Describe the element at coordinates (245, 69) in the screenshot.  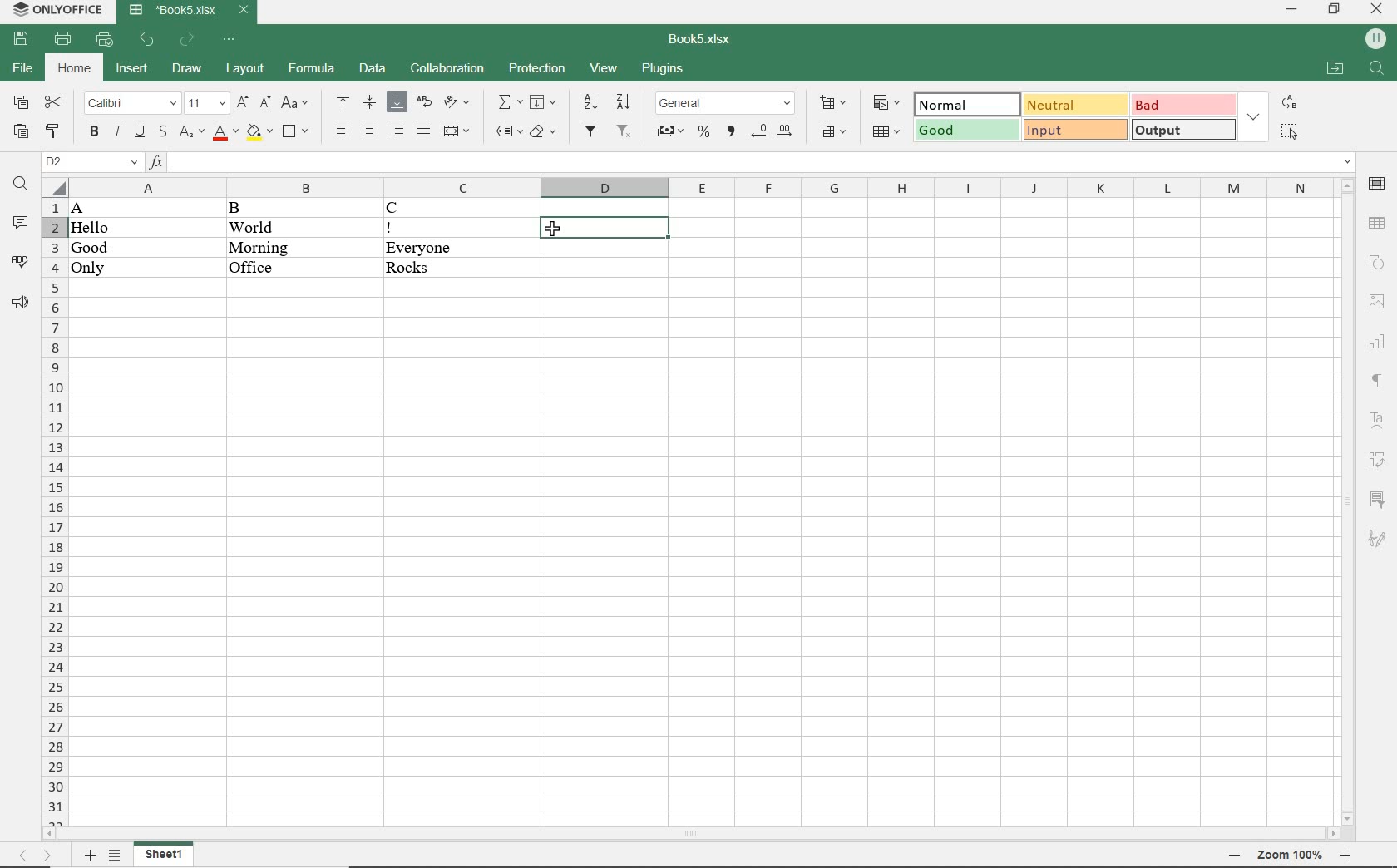
I see `layout` at that location.